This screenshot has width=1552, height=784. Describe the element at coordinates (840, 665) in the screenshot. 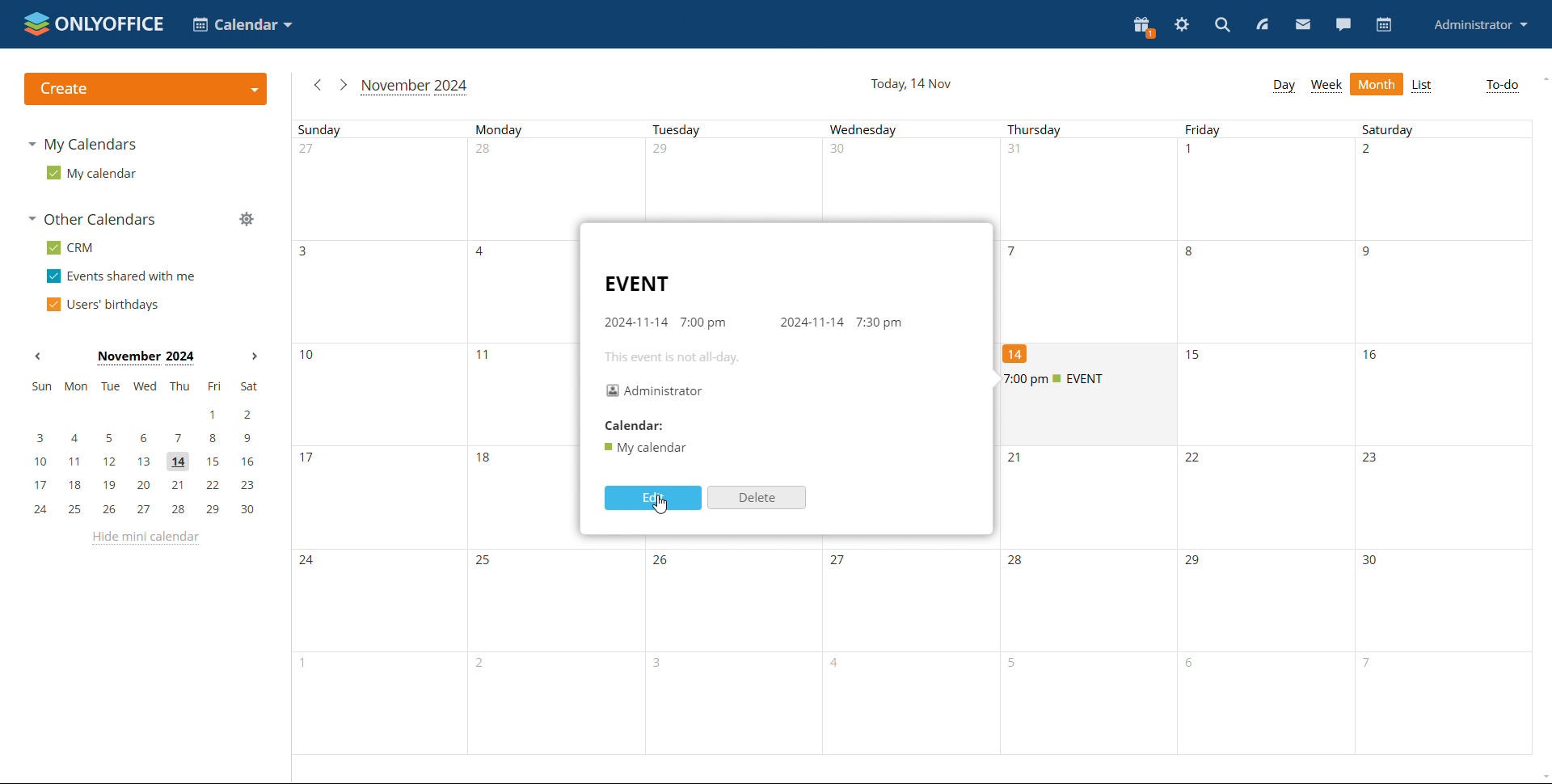

I see `number` at that location.